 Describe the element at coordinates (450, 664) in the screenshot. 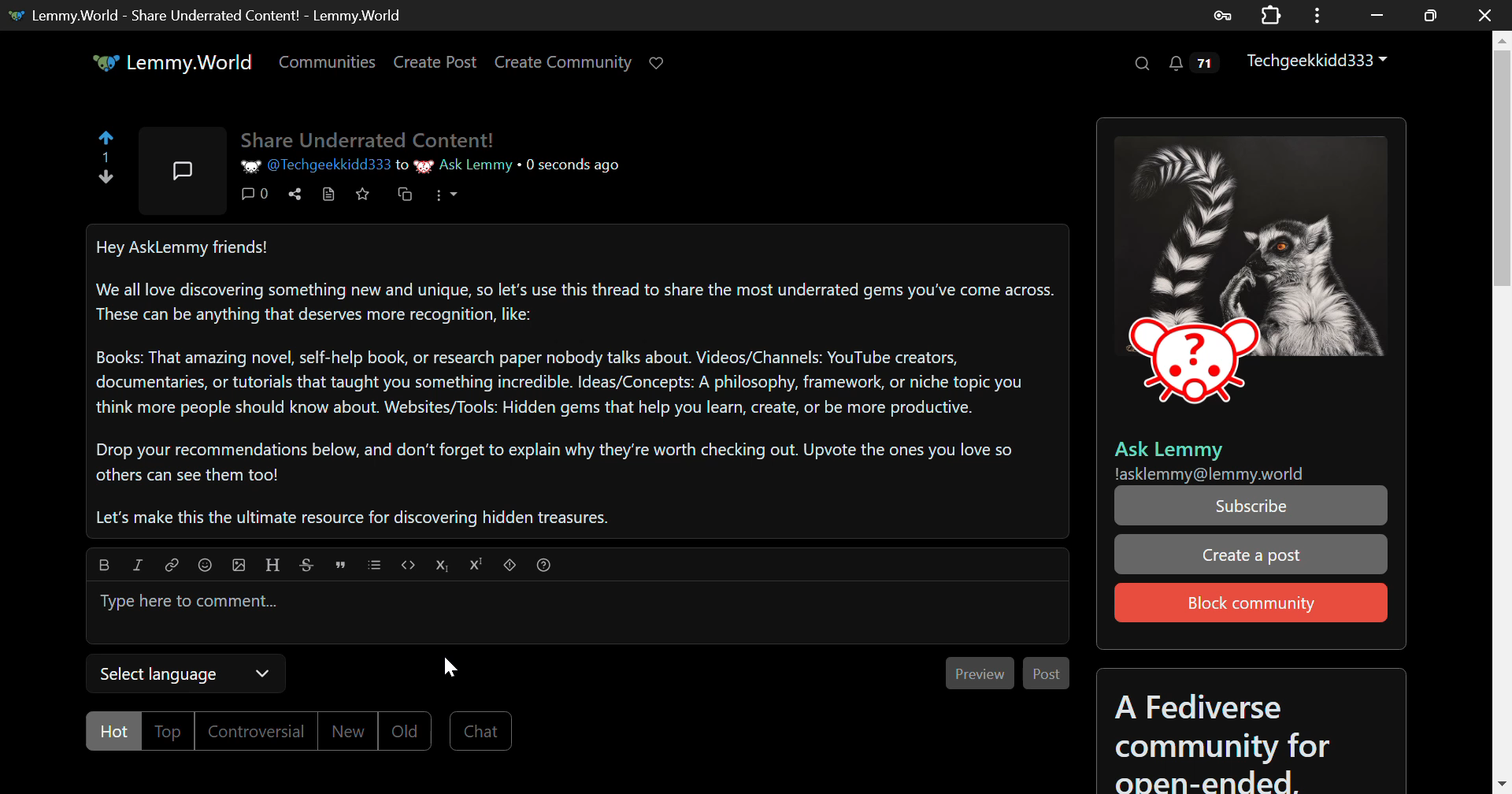

I see `Cursor Position AFTER_LAST_ACTION` at that location.